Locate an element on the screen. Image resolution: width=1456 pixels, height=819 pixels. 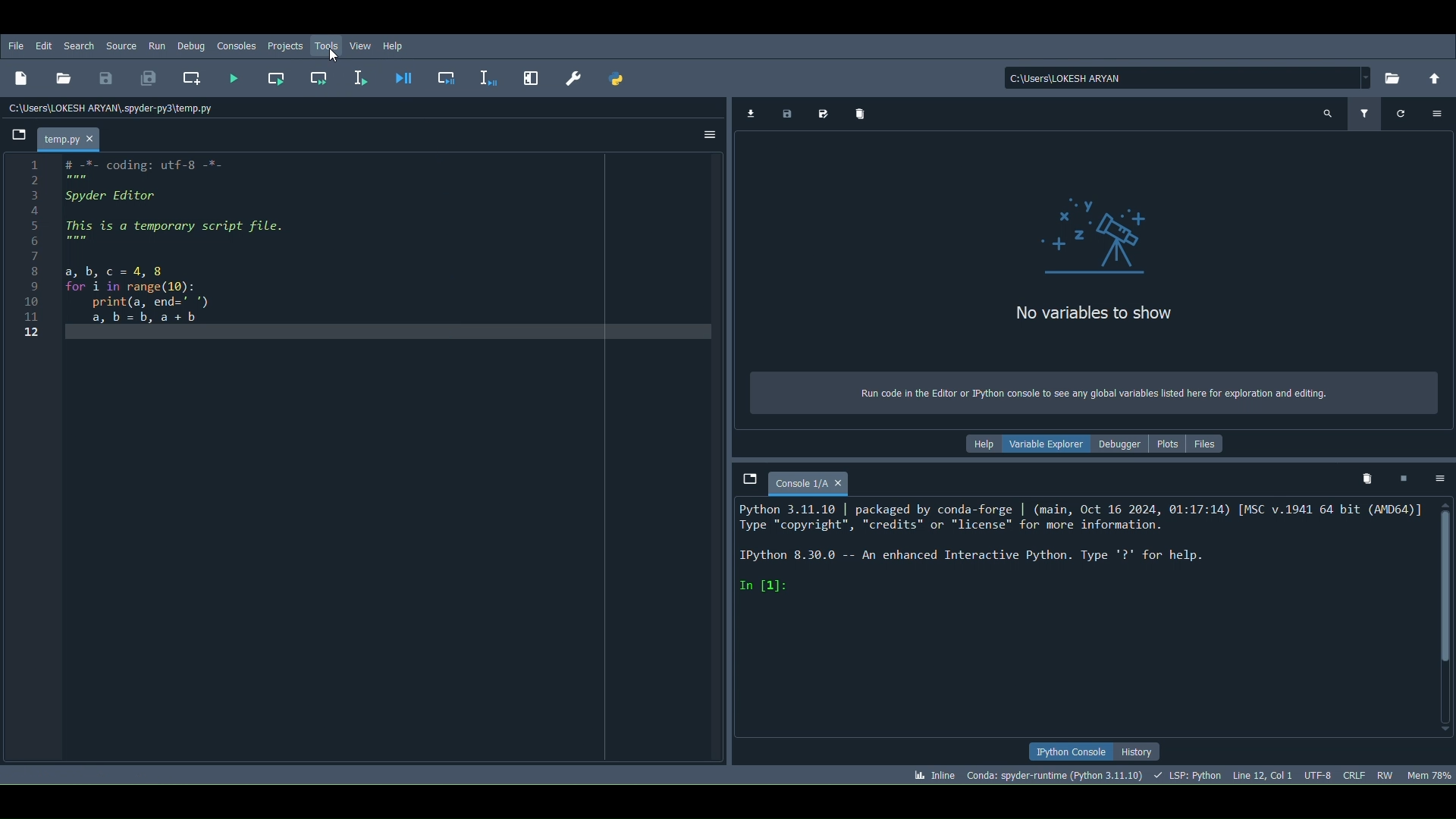
File permissions is located at coordinates (1385, 774).